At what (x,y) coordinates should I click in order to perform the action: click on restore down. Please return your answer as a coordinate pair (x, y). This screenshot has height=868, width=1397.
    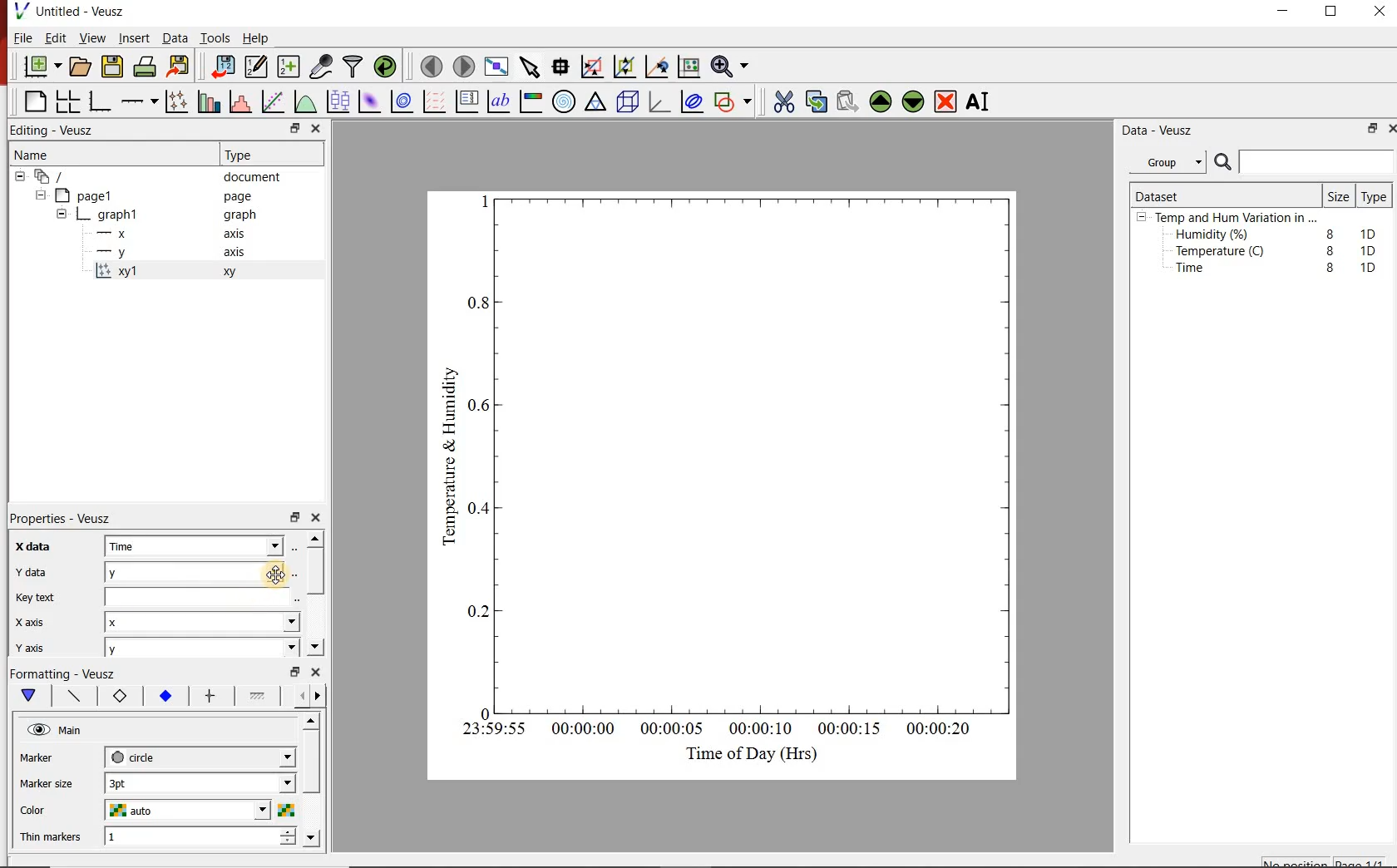
    Looking at the image, I should click on (294, 518).